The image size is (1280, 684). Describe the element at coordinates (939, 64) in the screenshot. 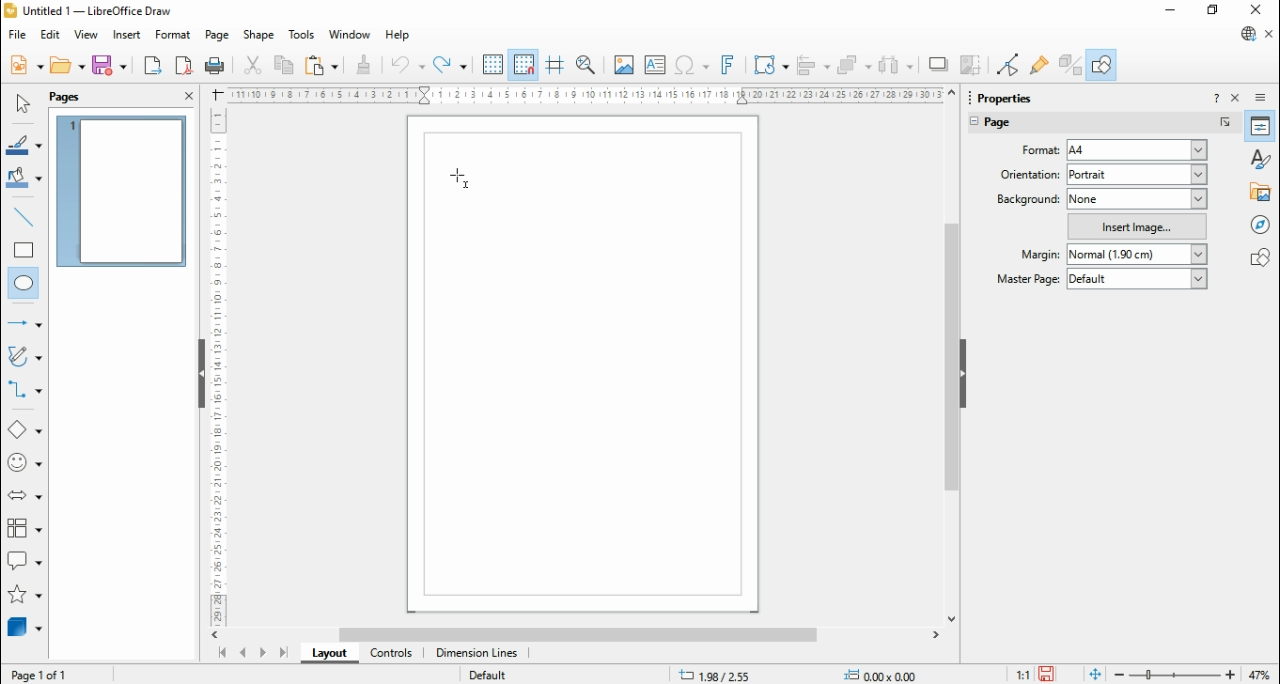

I see `shadow` at that location.